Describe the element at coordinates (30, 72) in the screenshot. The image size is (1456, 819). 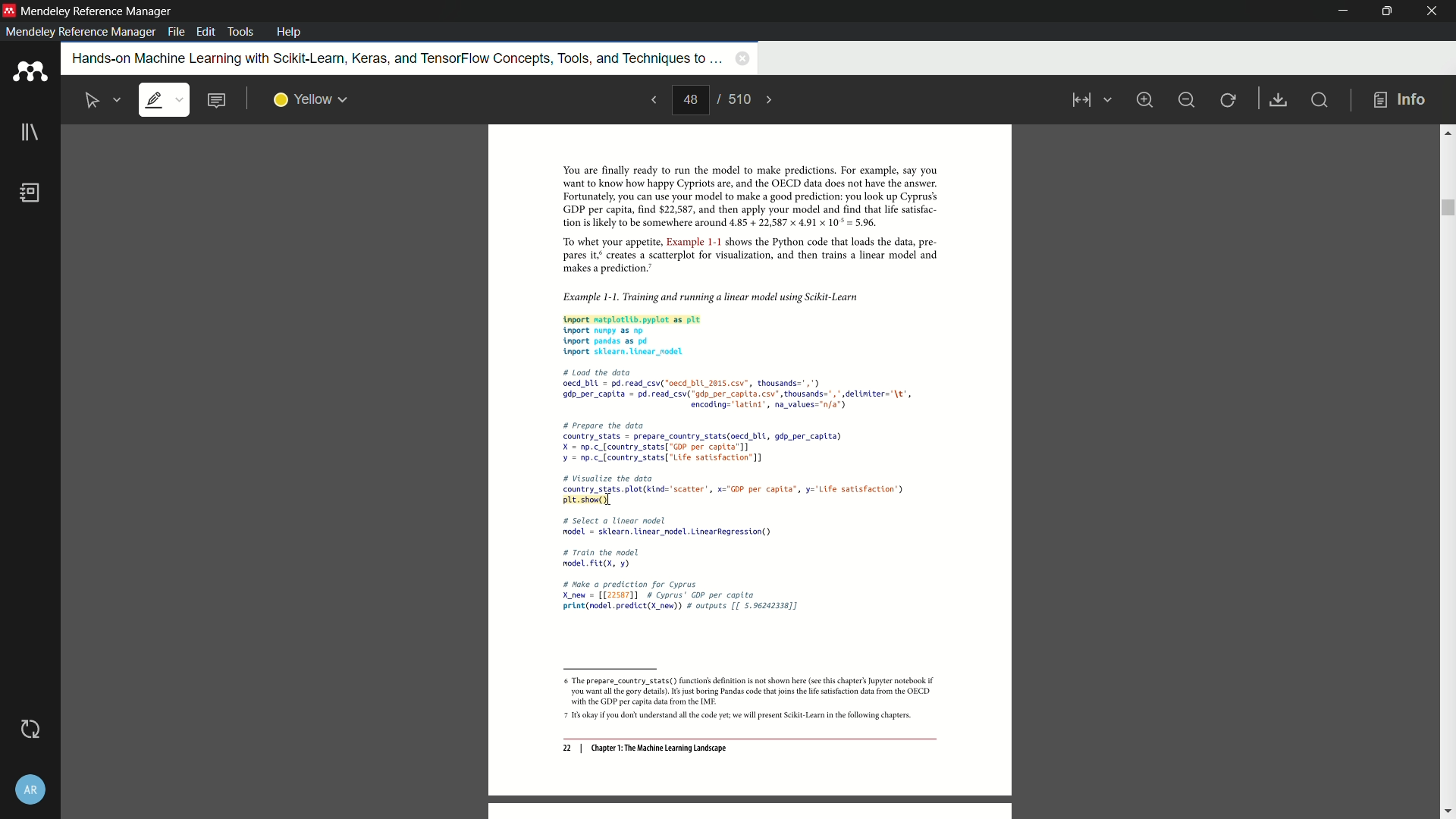
I see `app icon` at that location.